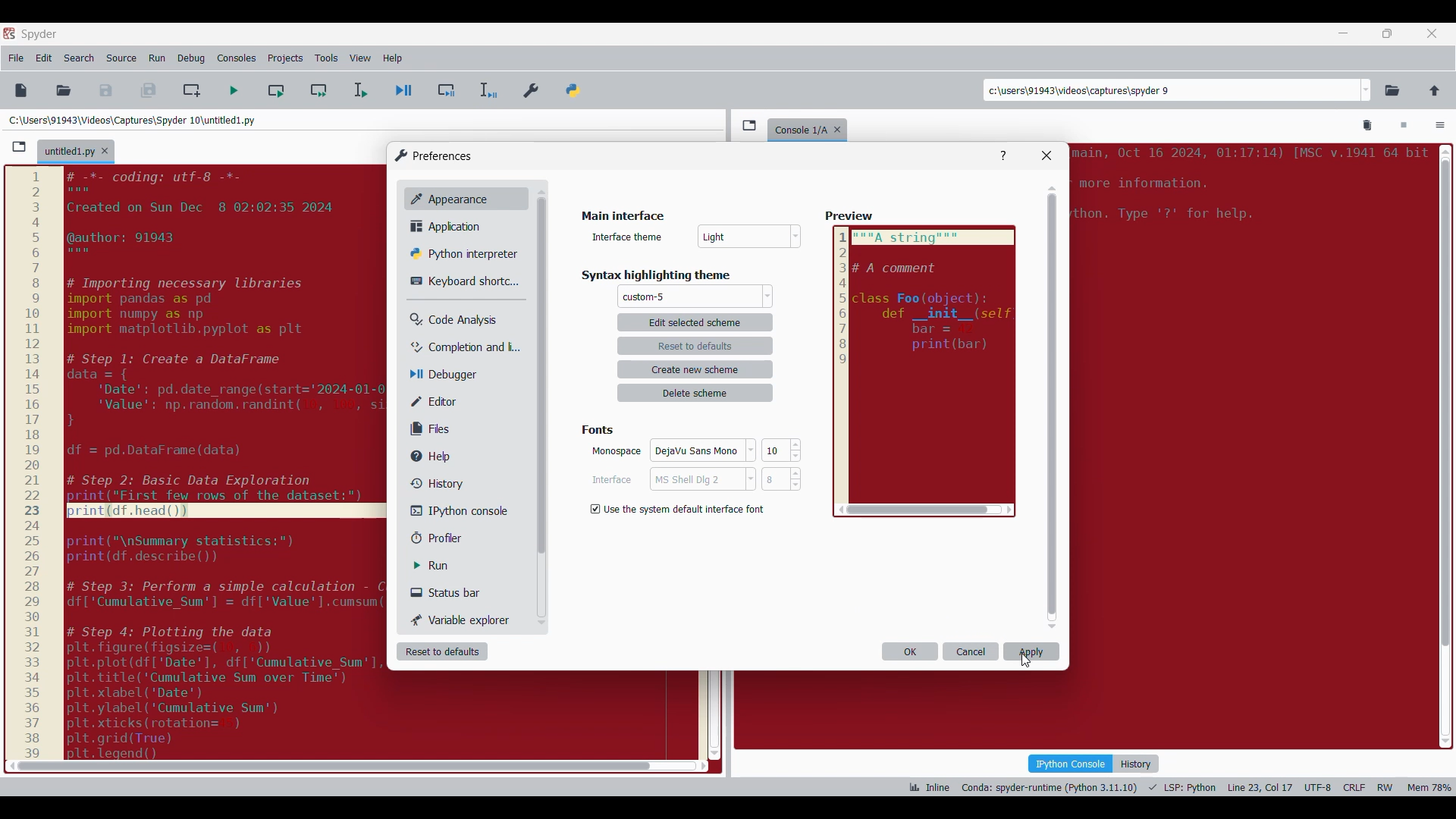 This screenshot has height=819, width=1456. I want to click on Appearance, current selection highlighted, so click(446, 197).